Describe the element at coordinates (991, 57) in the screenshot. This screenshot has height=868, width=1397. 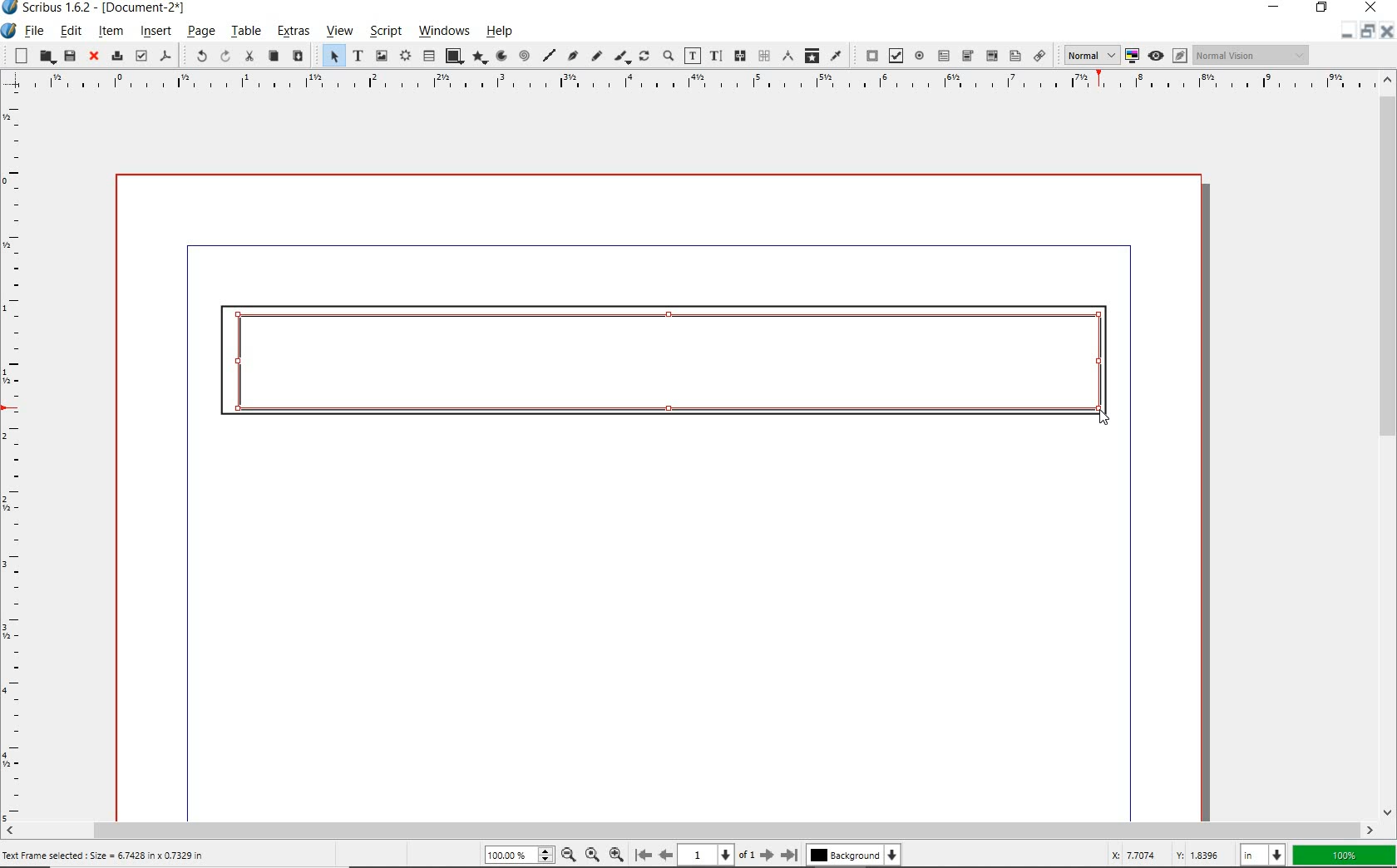
I see `pdf combo box` at that location.